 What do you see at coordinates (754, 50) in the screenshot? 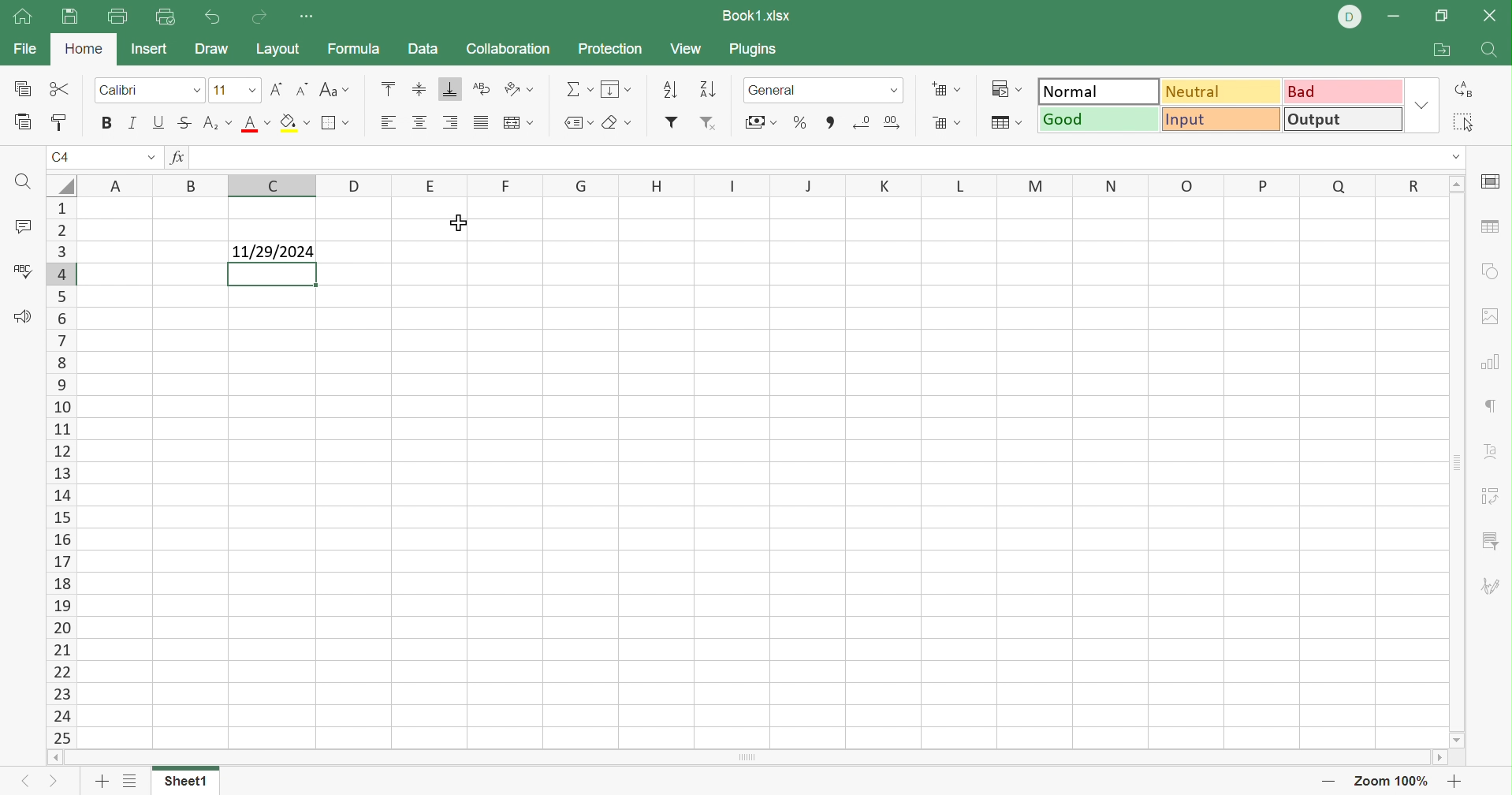
I see `Plugins` at bounding box center [754, 50].